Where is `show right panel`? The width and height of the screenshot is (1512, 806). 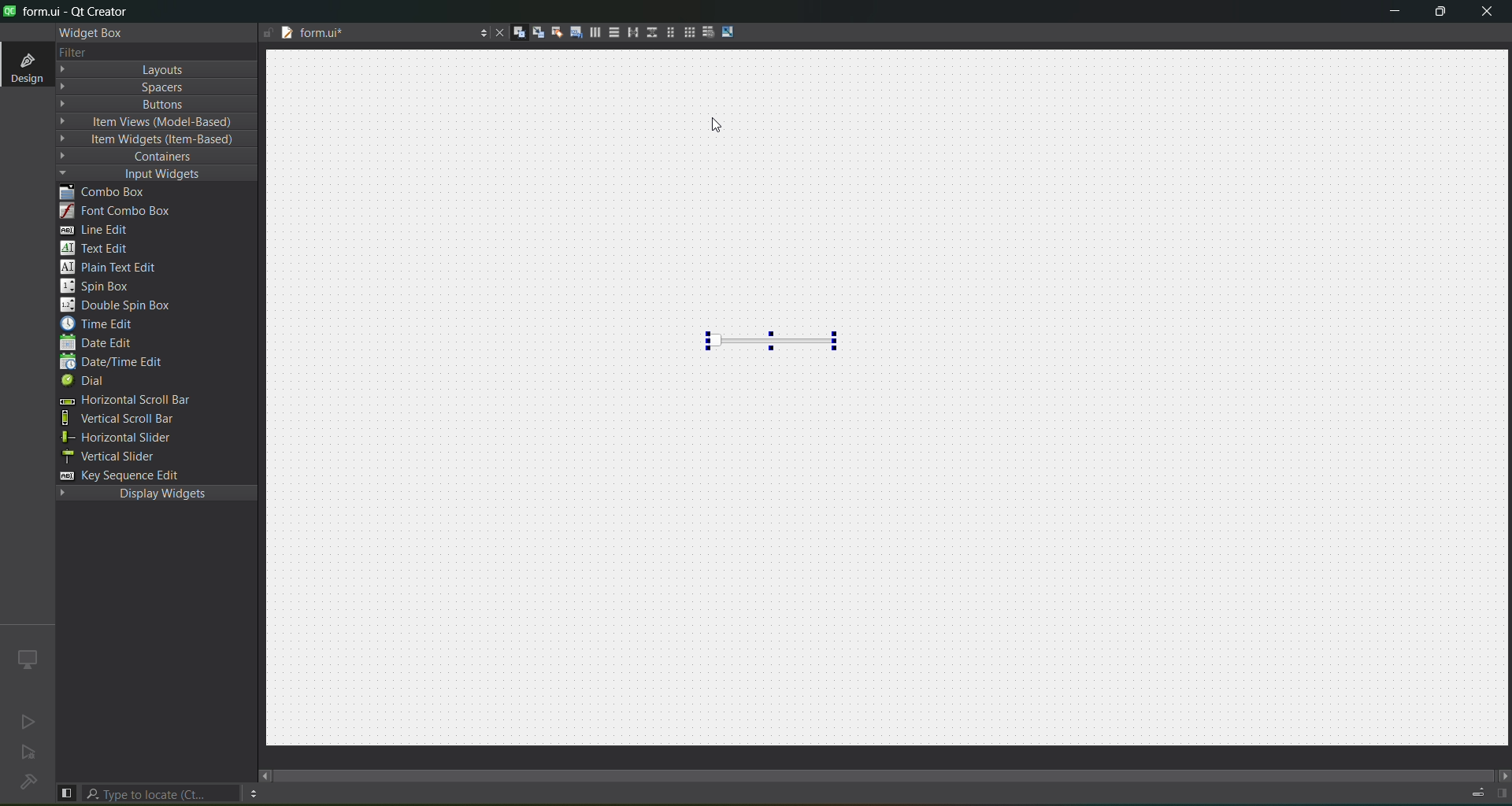 show right panel is located at coordinates (1503, 790).